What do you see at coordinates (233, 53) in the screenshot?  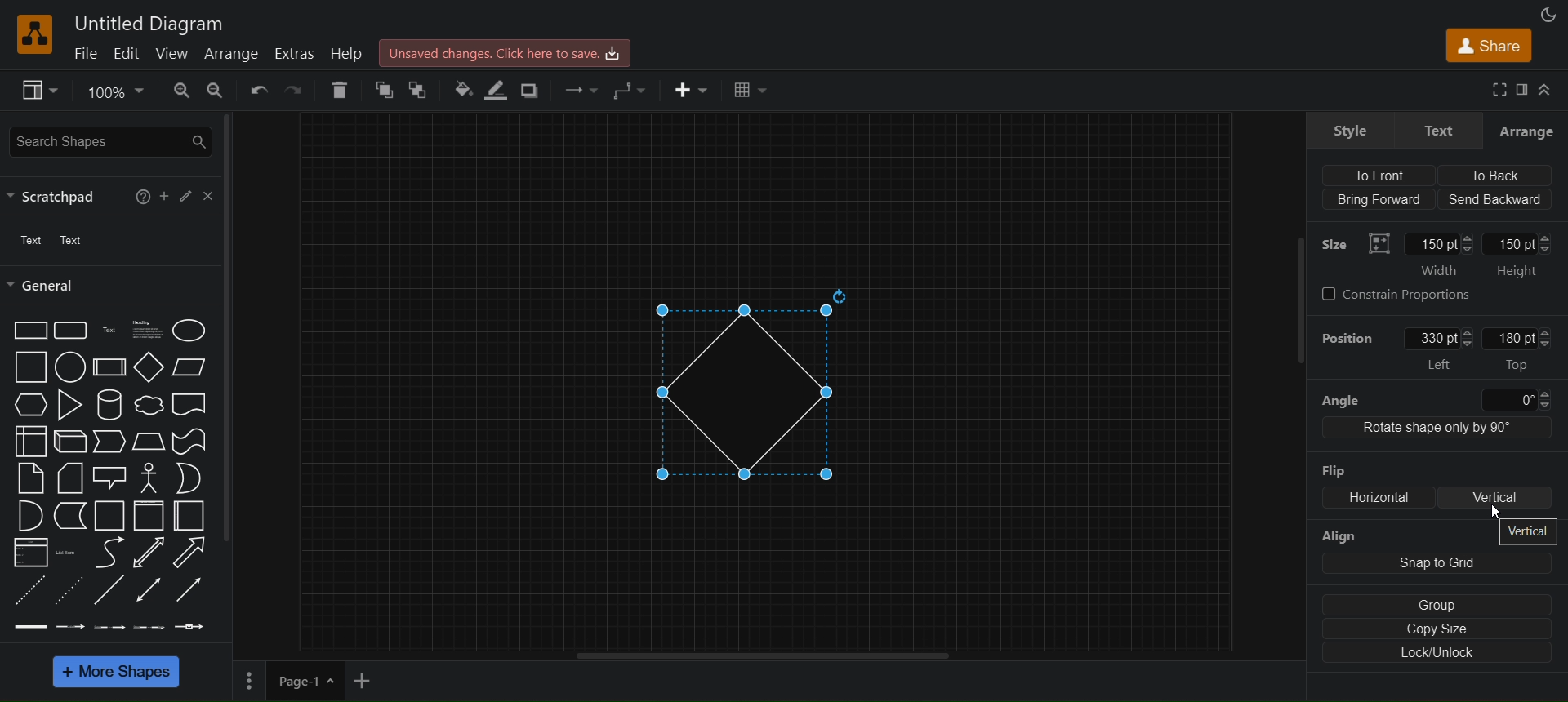 I see `arrange` at bounding box center [233, 53].